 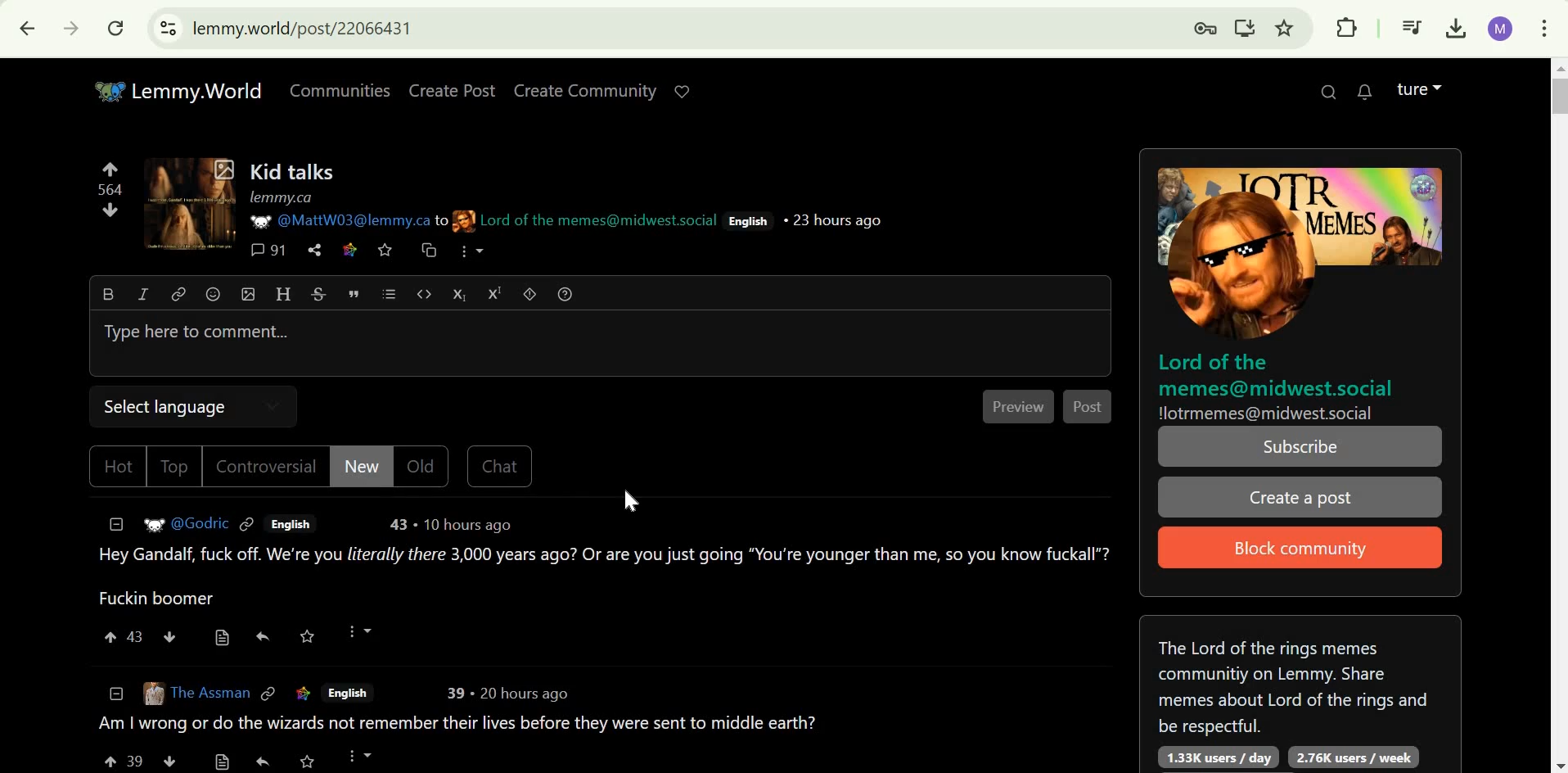 What do you see at coordinates (170, 635) in the screenshot?
I see `downvote` at bounding box center [170, 635].